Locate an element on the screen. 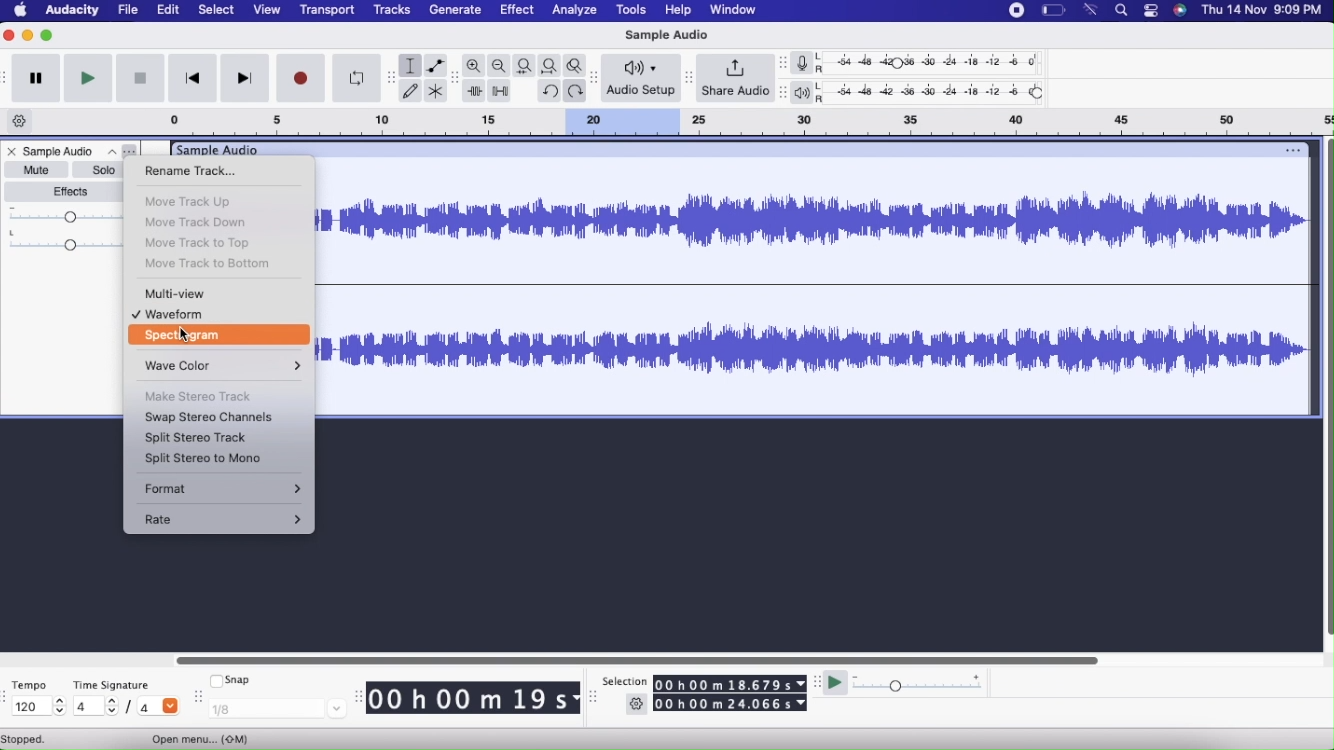  menu is located at coordinates (1013, 11).